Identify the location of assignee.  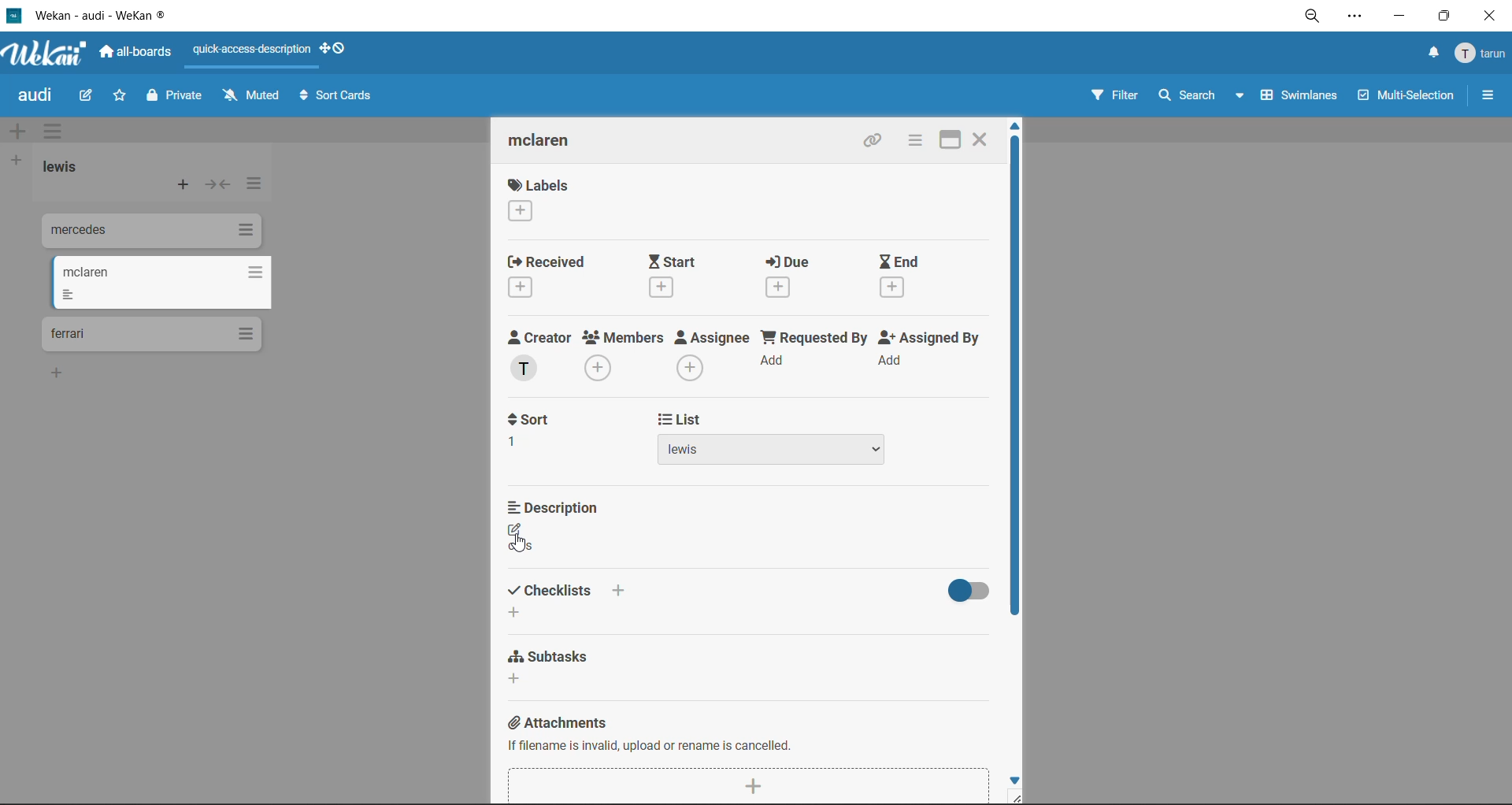
(713, 355).